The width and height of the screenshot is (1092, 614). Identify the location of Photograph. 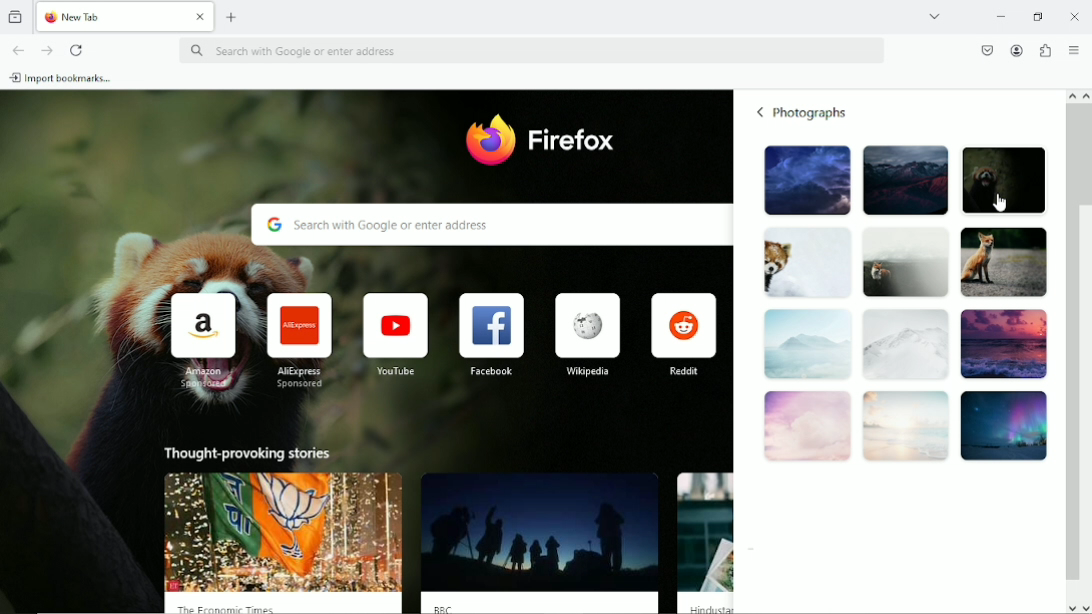
(805, 429).